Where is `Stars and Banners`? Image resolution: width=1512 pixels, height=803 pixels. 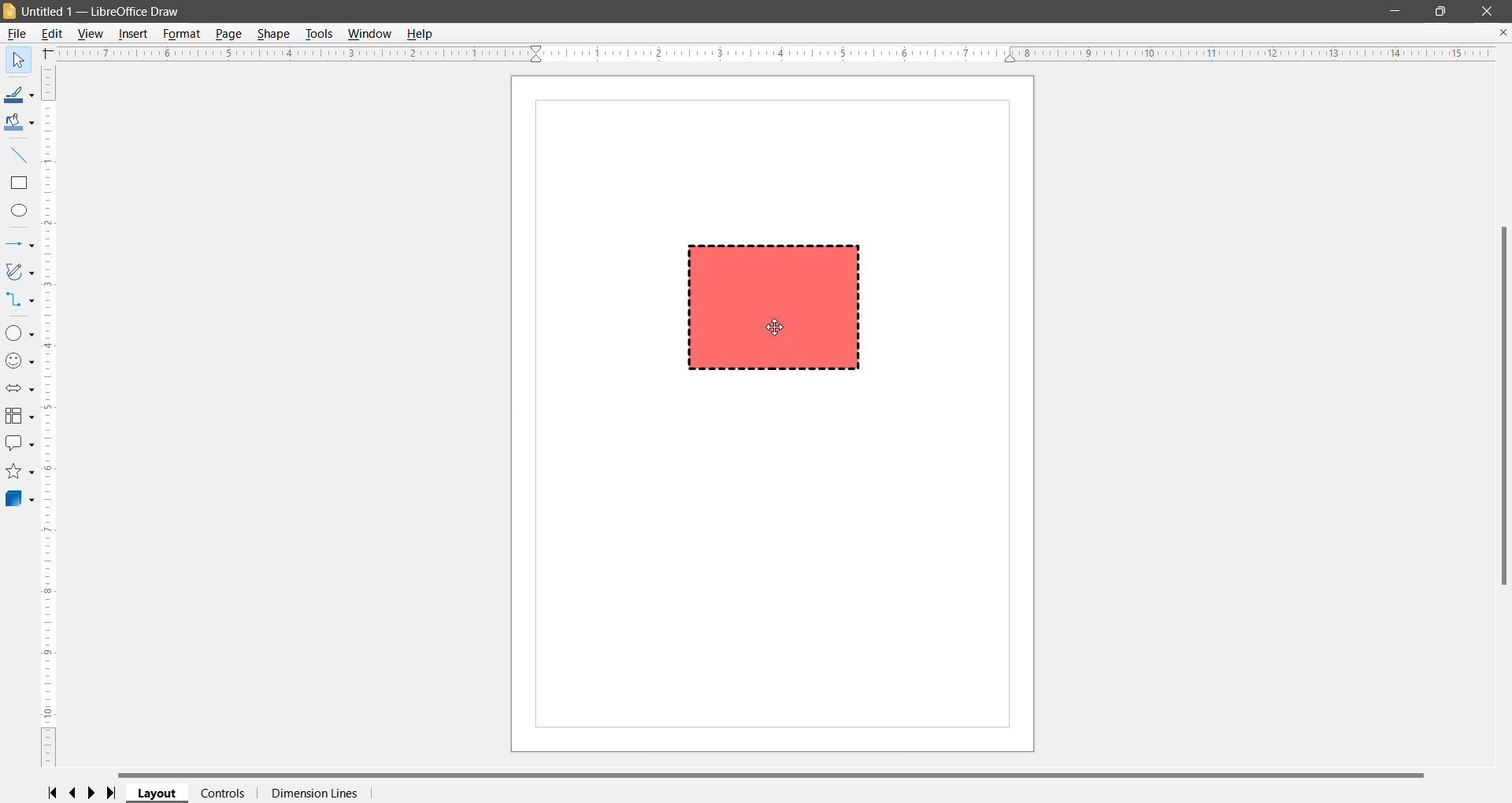
Stars and Banners is located at coordinates (19, 472).